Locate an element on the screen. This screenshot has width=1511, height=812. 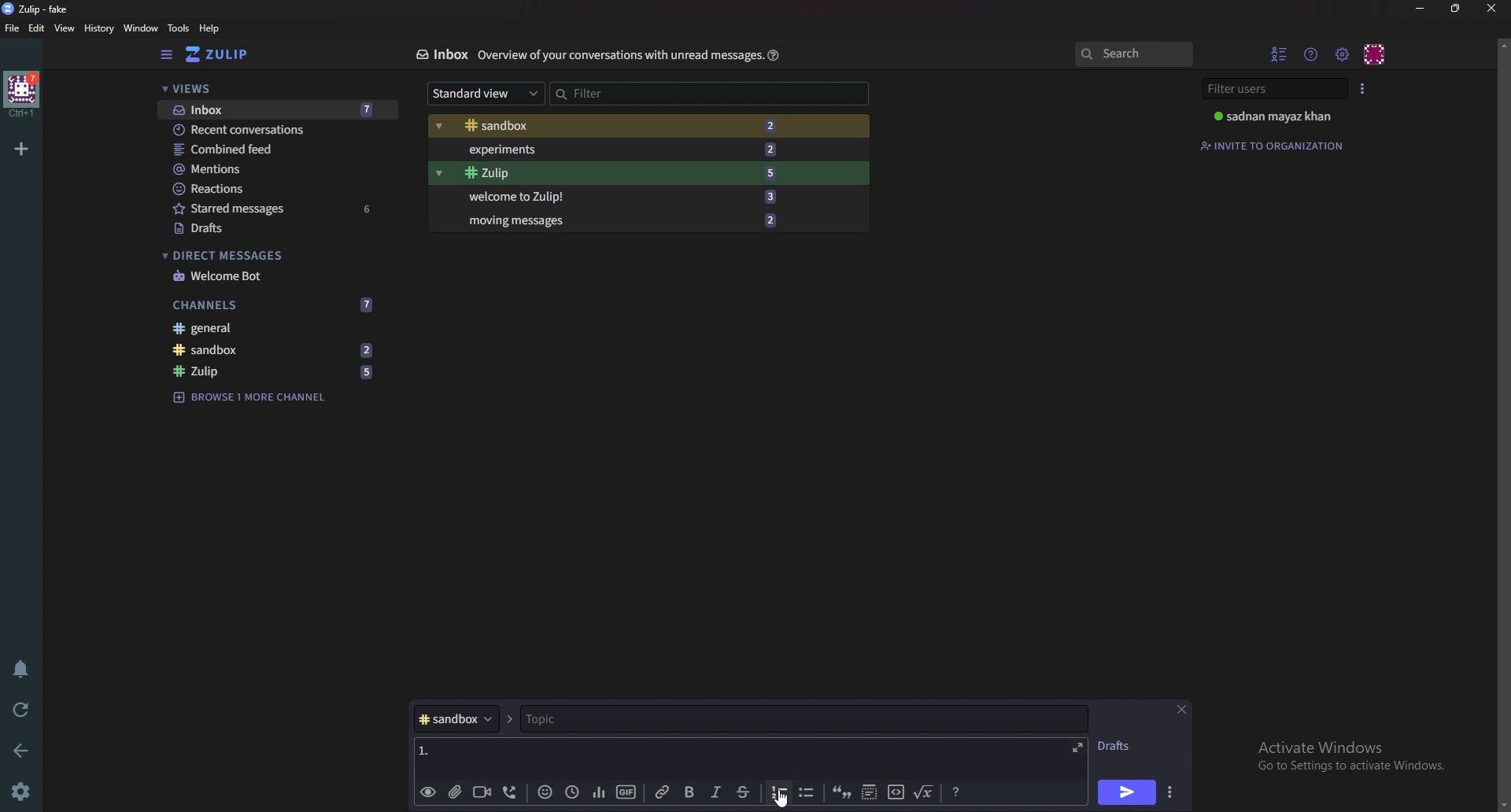
Strike through is located at coordinates (744, 792).